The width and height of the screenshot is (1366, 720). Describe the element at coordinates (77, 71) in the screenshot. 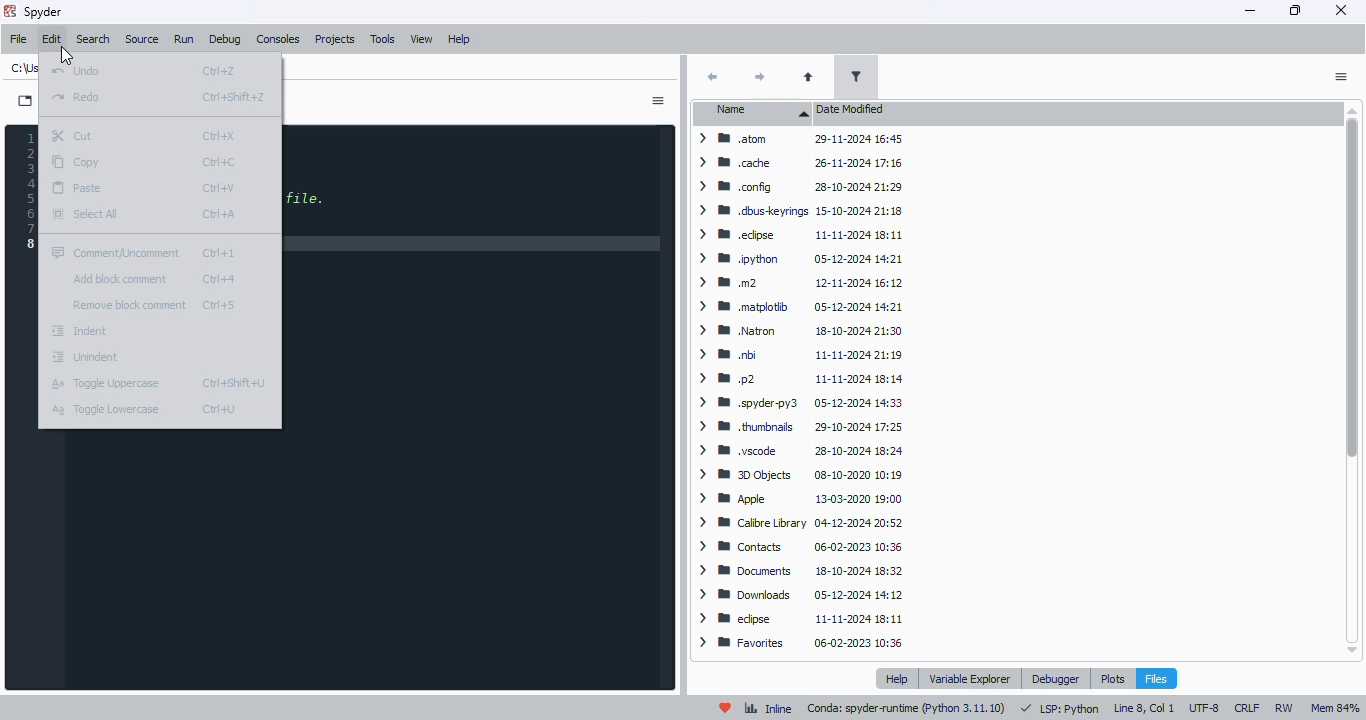

I see `undo` at that location.